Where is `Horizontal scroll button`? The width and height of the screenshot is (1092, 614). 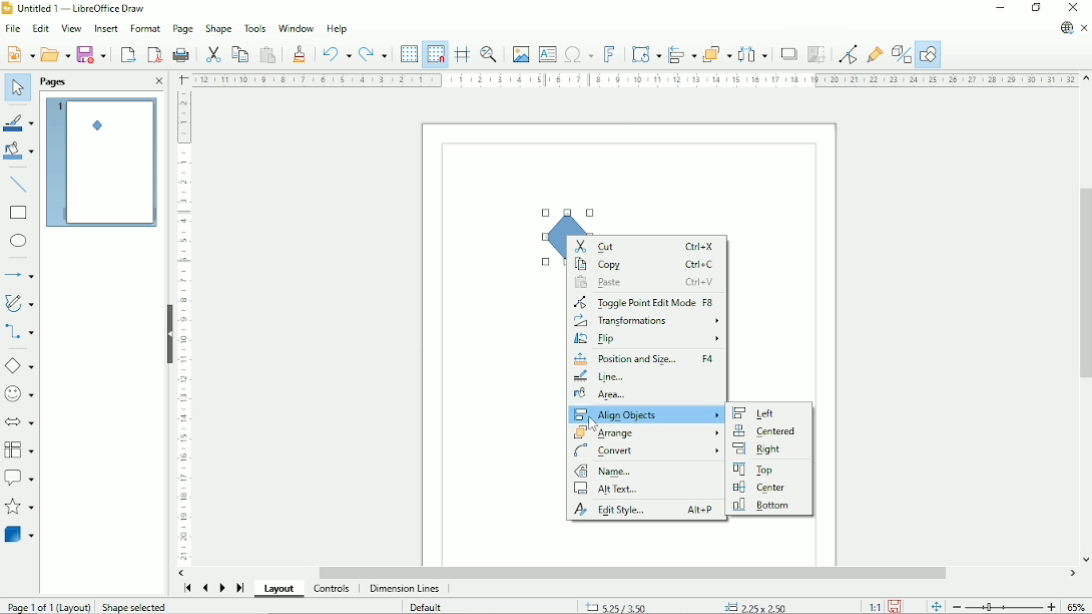 Horizontal scroll button is located at coordinates (182, 572).